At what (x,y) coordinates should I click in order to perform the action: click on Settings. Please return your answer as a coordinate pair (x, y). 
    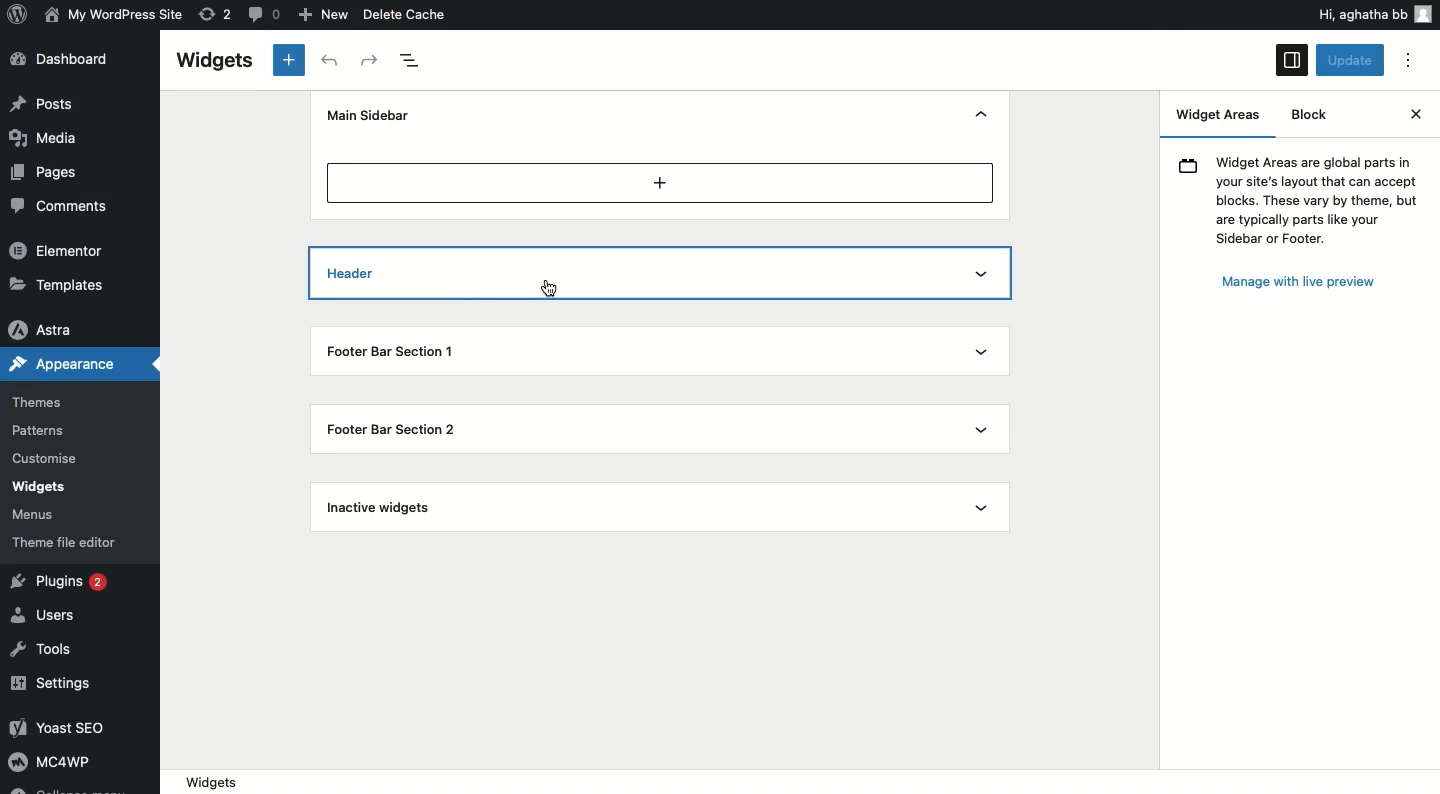
    Looking at the image, I should click on (53, 685).